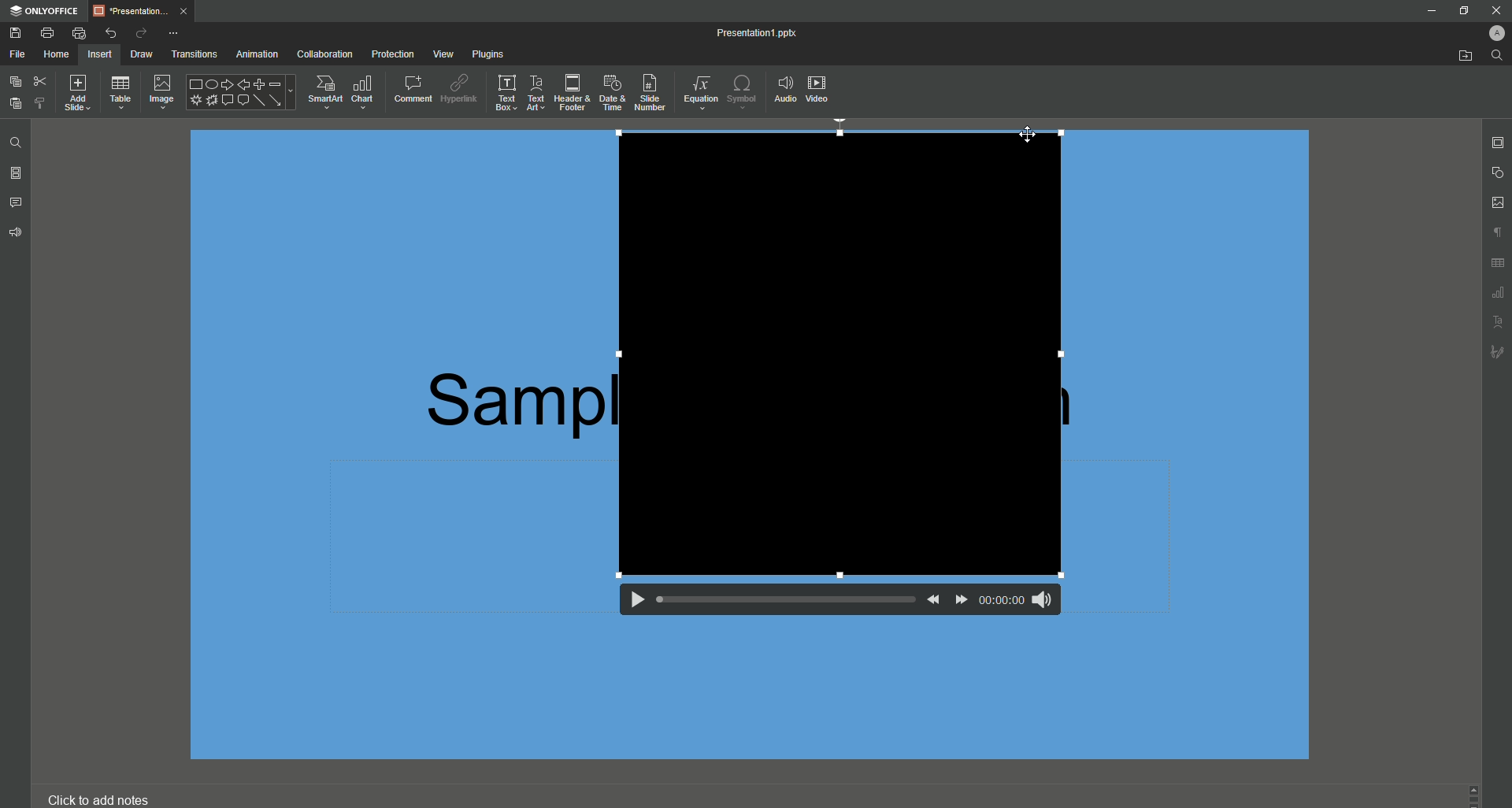  Describe the element at coordinates (106, 799) in the screenshot. I see `Click to add notes` at that location.